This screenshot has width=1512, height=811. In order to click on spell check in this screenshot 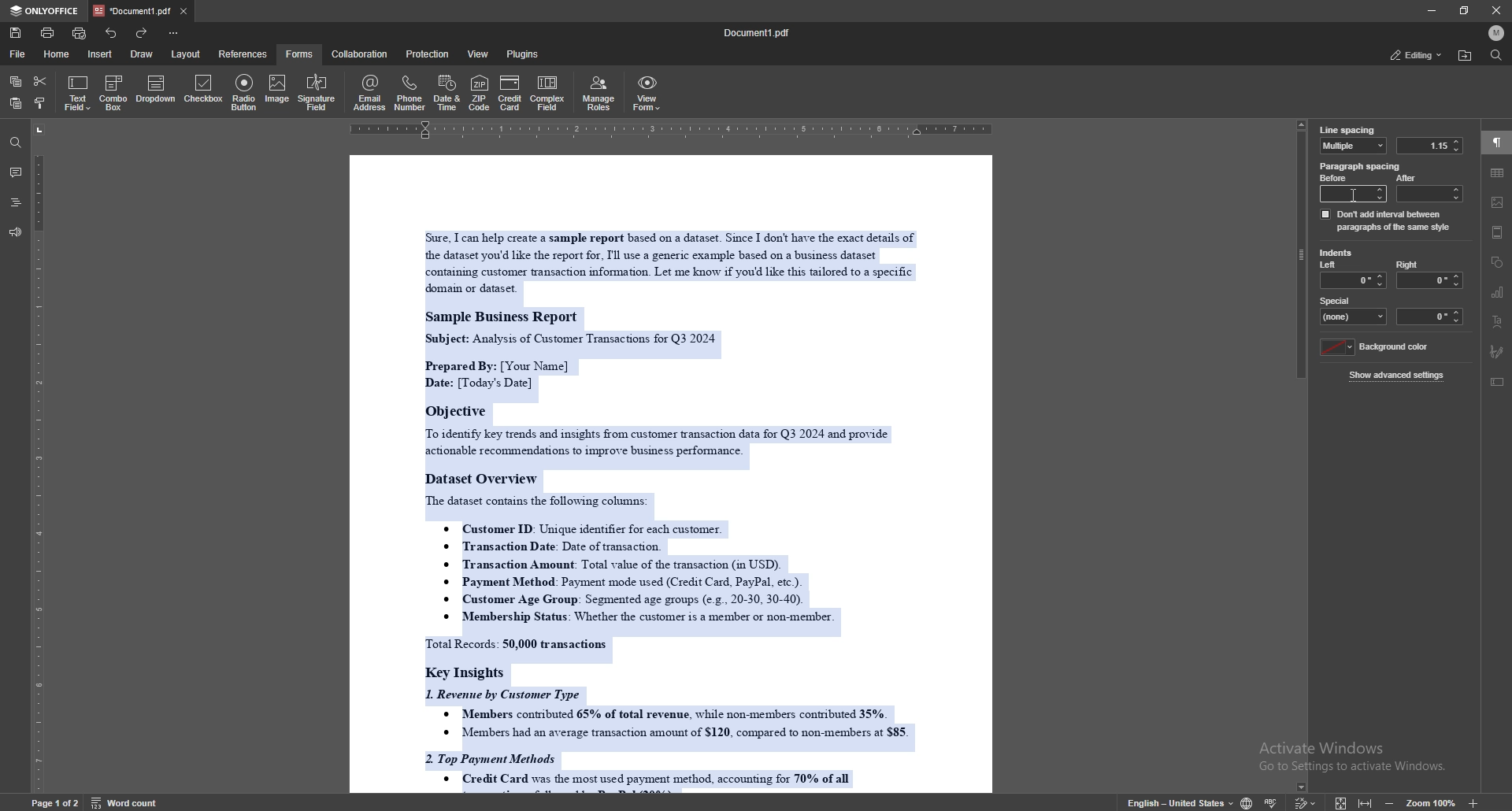, I will do `click(1273, 801)`.